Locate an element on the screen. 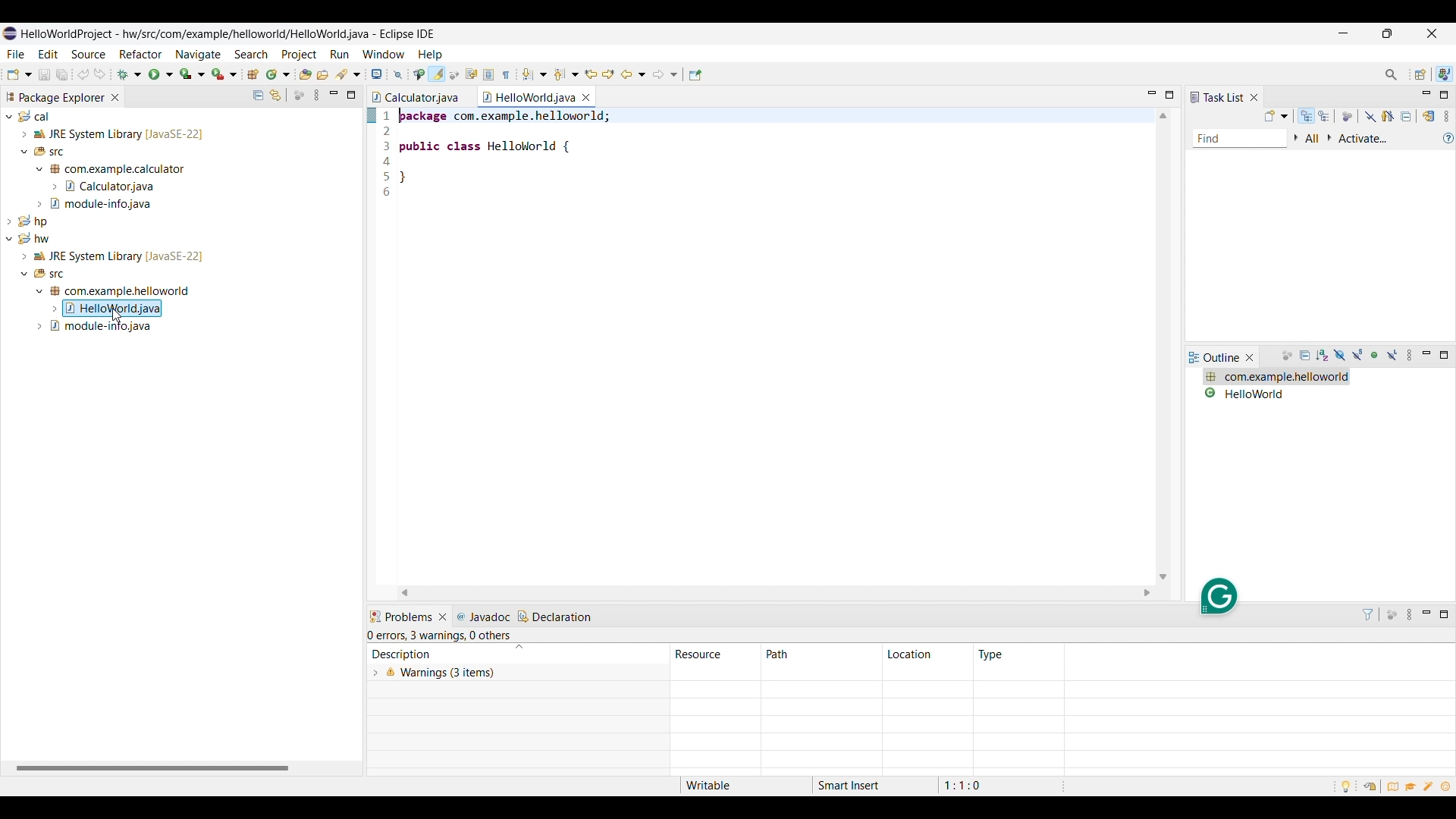 This screenshot has height=819, width=1456. Next edit location is located at coordinates (609, 74).